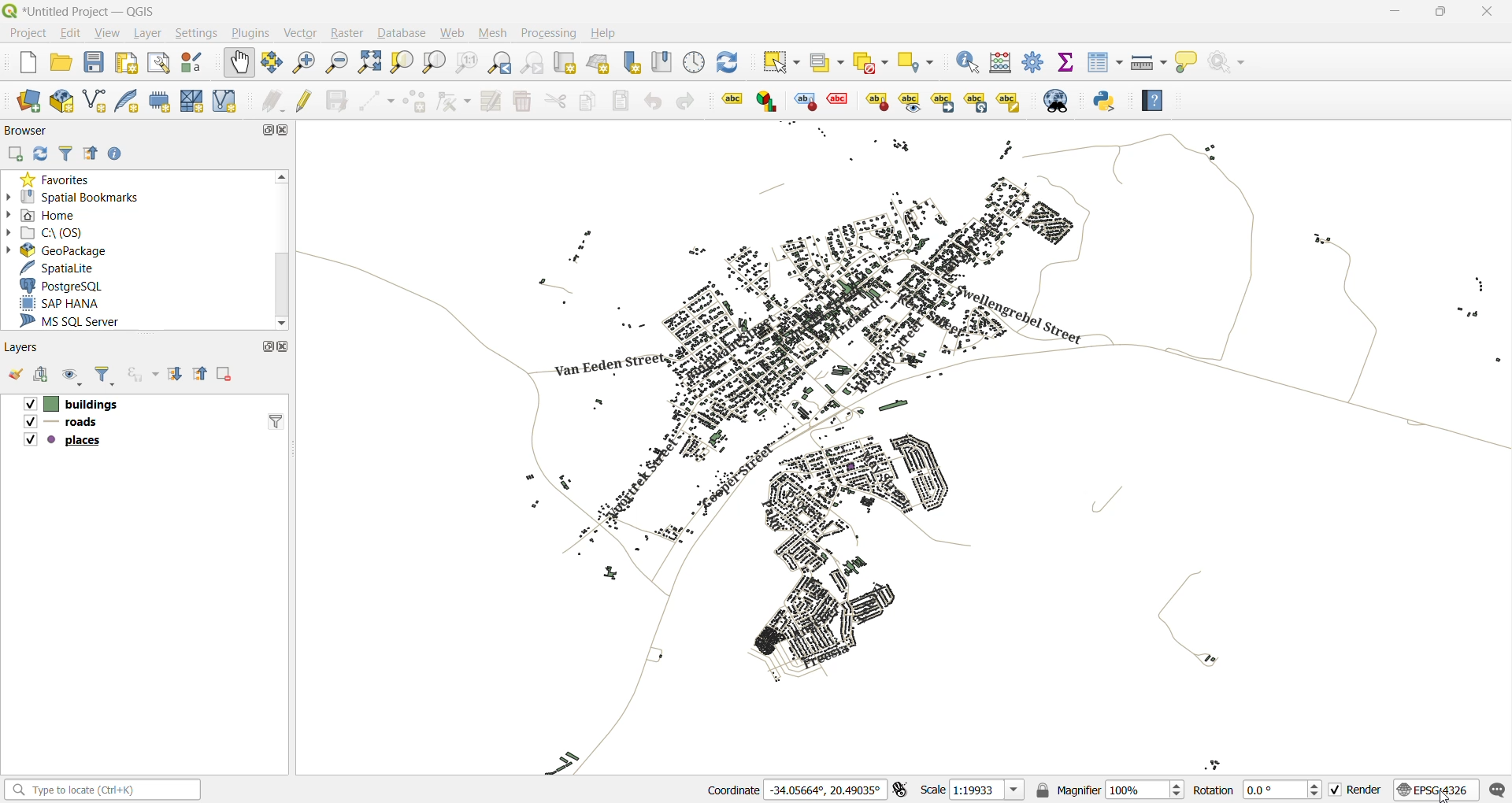  What do you see at coordinates (1359, 791) in the screenshot?
I see `render` at bounding box center [1359, 791].